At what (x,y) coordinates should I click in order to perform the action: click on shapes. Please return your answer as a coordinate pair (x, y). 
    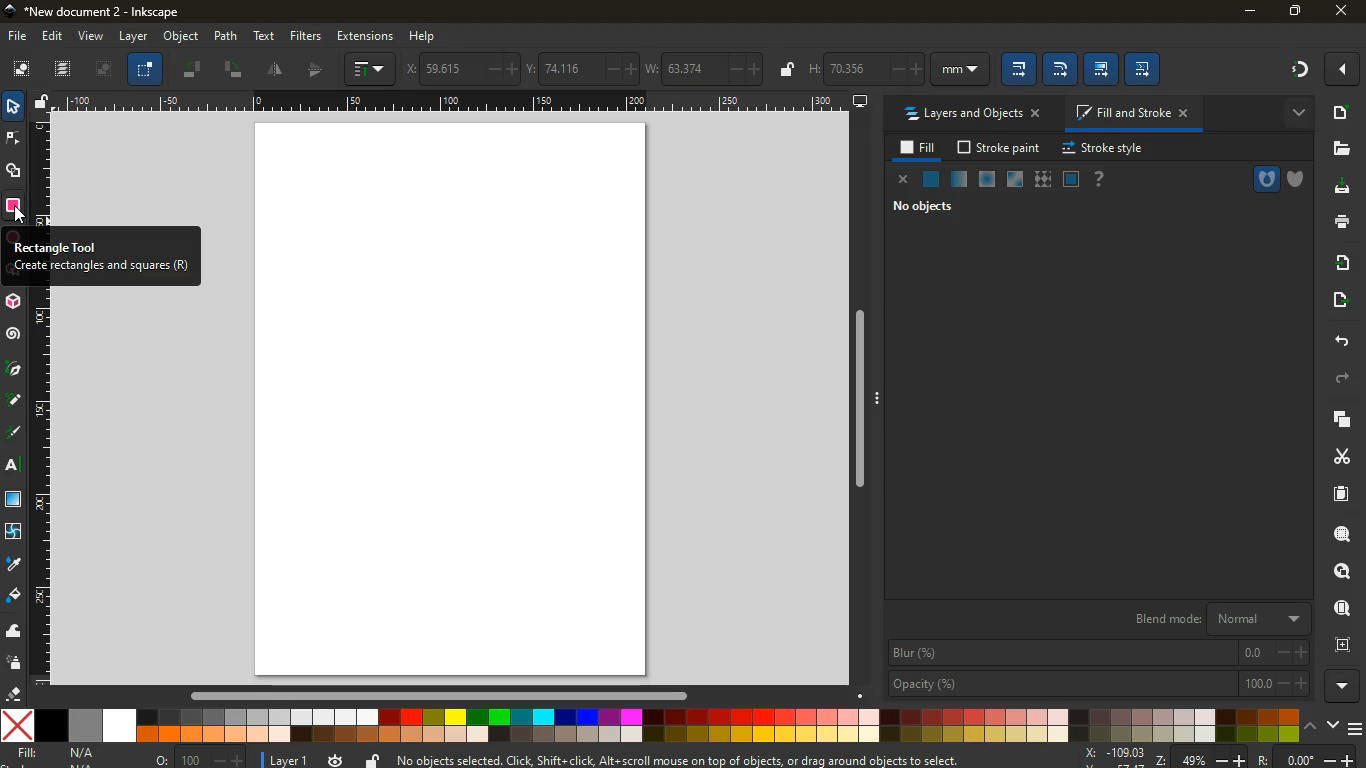
    Looking at the image, I should click on (15, 173).